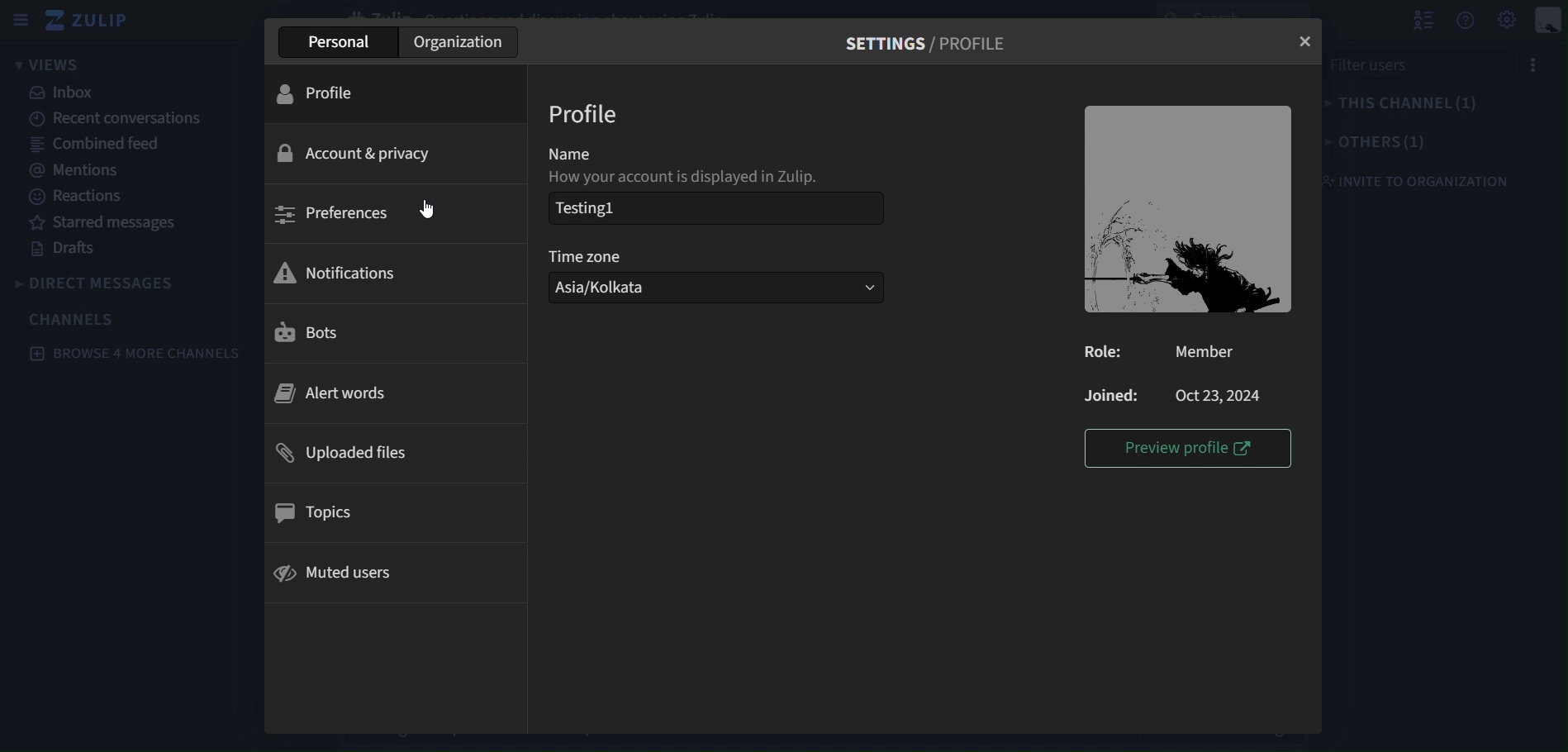 The width and height of the screenshot is (1568, 752). What do you see at coordinates (1421, 17) in the screenshot?
I see `hide user list` at bounding box center [1421, 17].